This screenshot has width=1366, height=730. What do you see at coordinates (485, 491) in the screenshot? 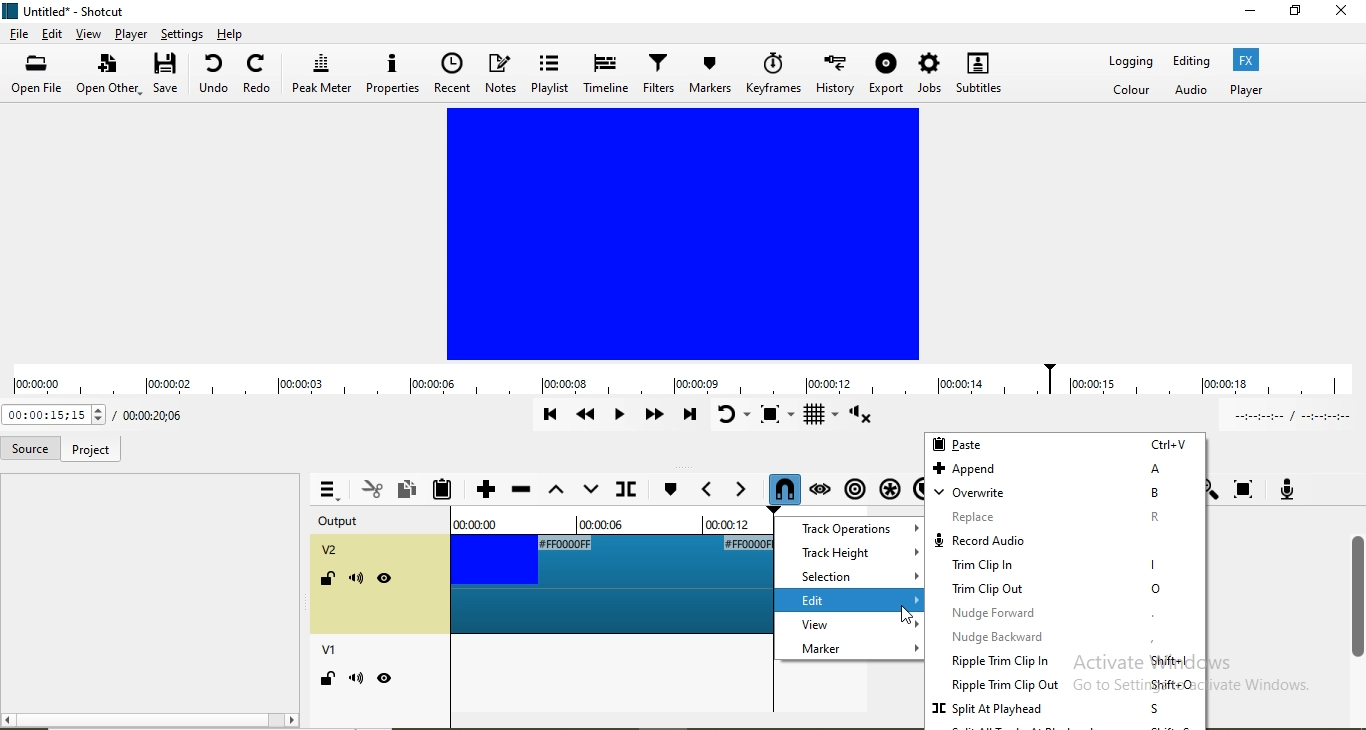
I see `Append` at bounding box center [485, 491].